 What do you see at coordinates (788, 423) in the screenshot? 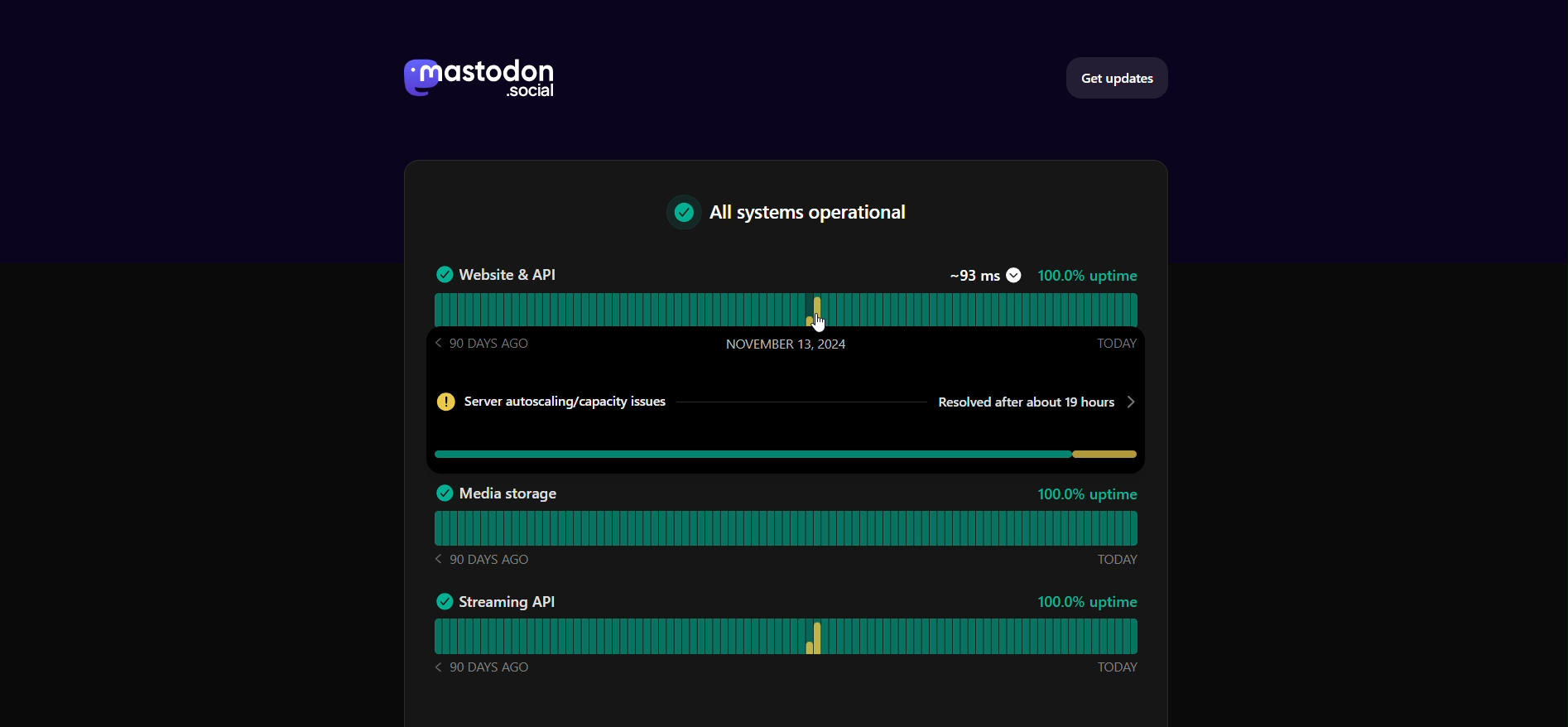
I see `issues in Website and API` at bounding box center [788, 423].